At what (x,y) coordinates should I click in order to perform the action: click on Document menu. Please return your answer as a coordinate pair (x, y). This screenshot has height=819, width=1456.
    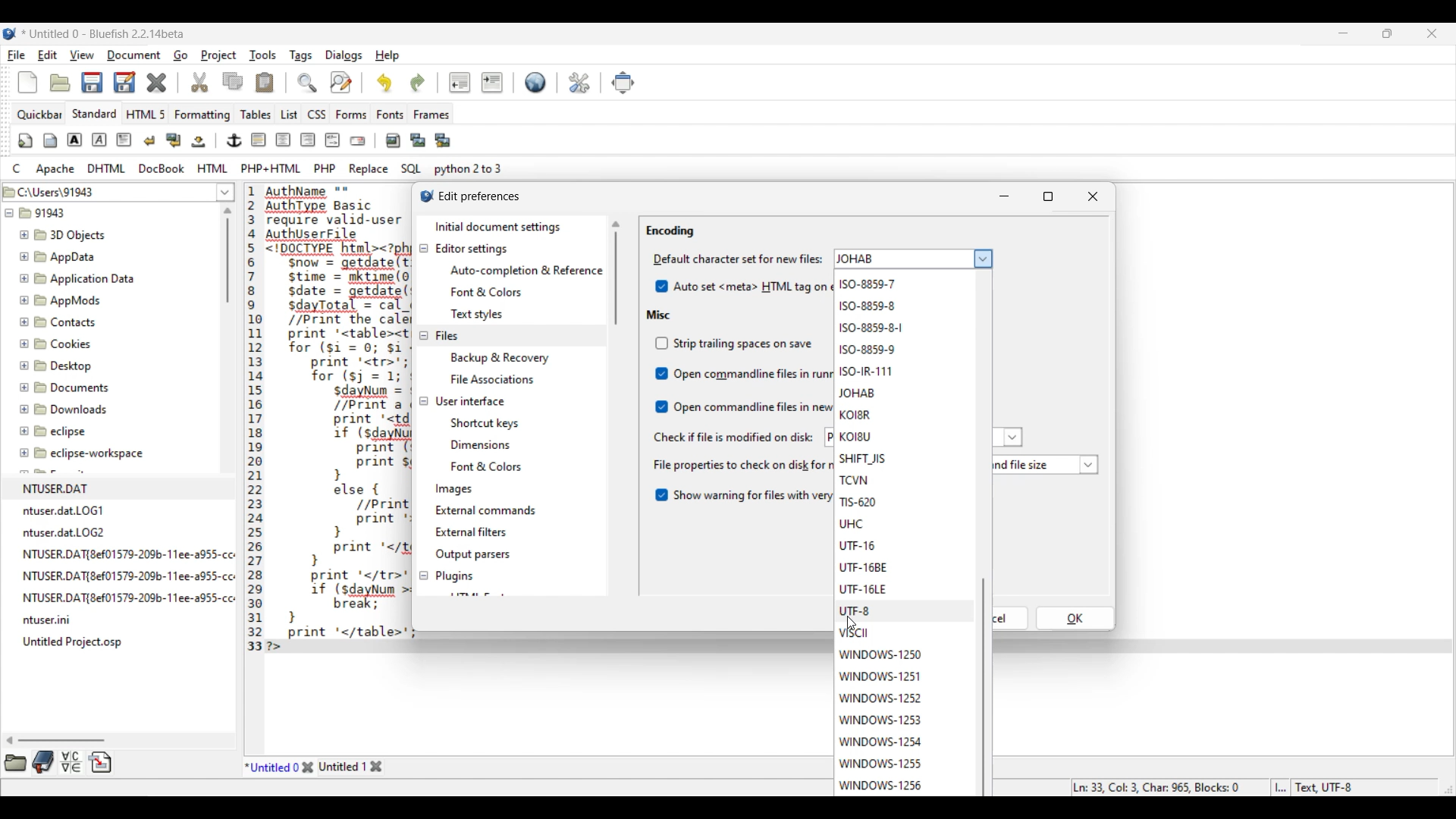
    Looking at the image, I should click on (134, 55).